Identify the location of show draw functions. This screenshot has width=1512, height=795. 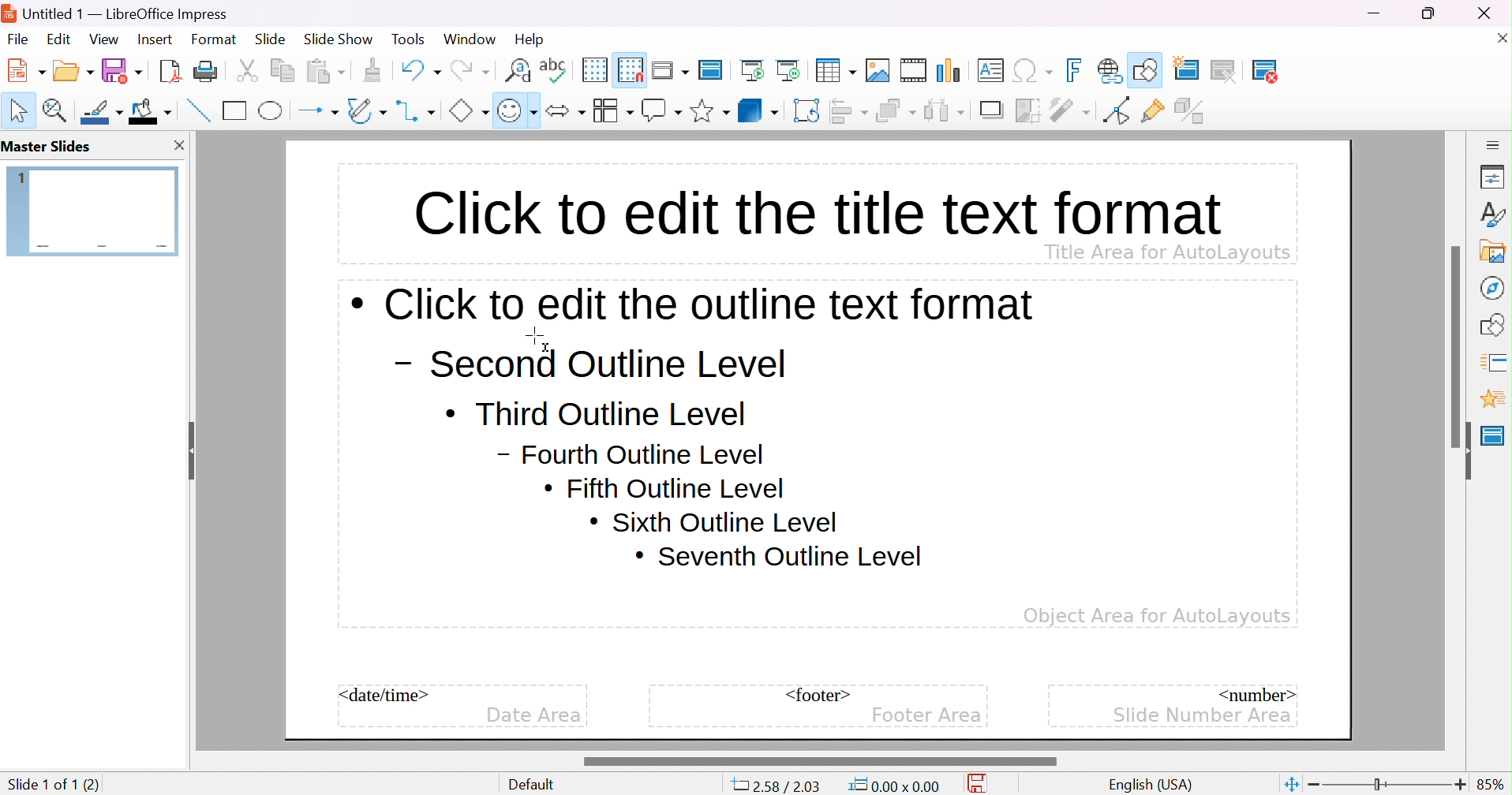
(1147, 68).